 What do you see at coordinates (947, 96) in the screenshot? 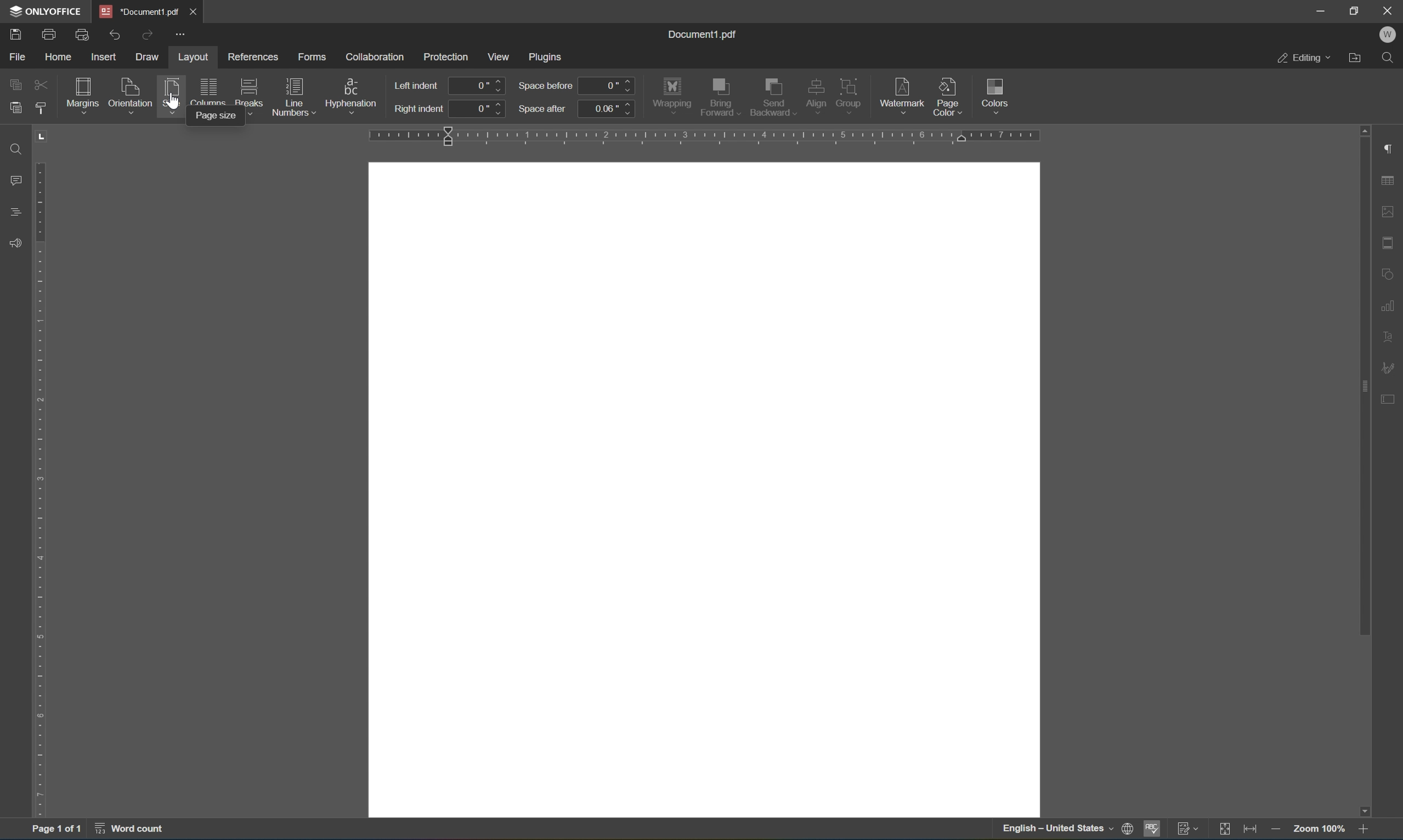
I see `page colors` at bounding box center [947, 96].